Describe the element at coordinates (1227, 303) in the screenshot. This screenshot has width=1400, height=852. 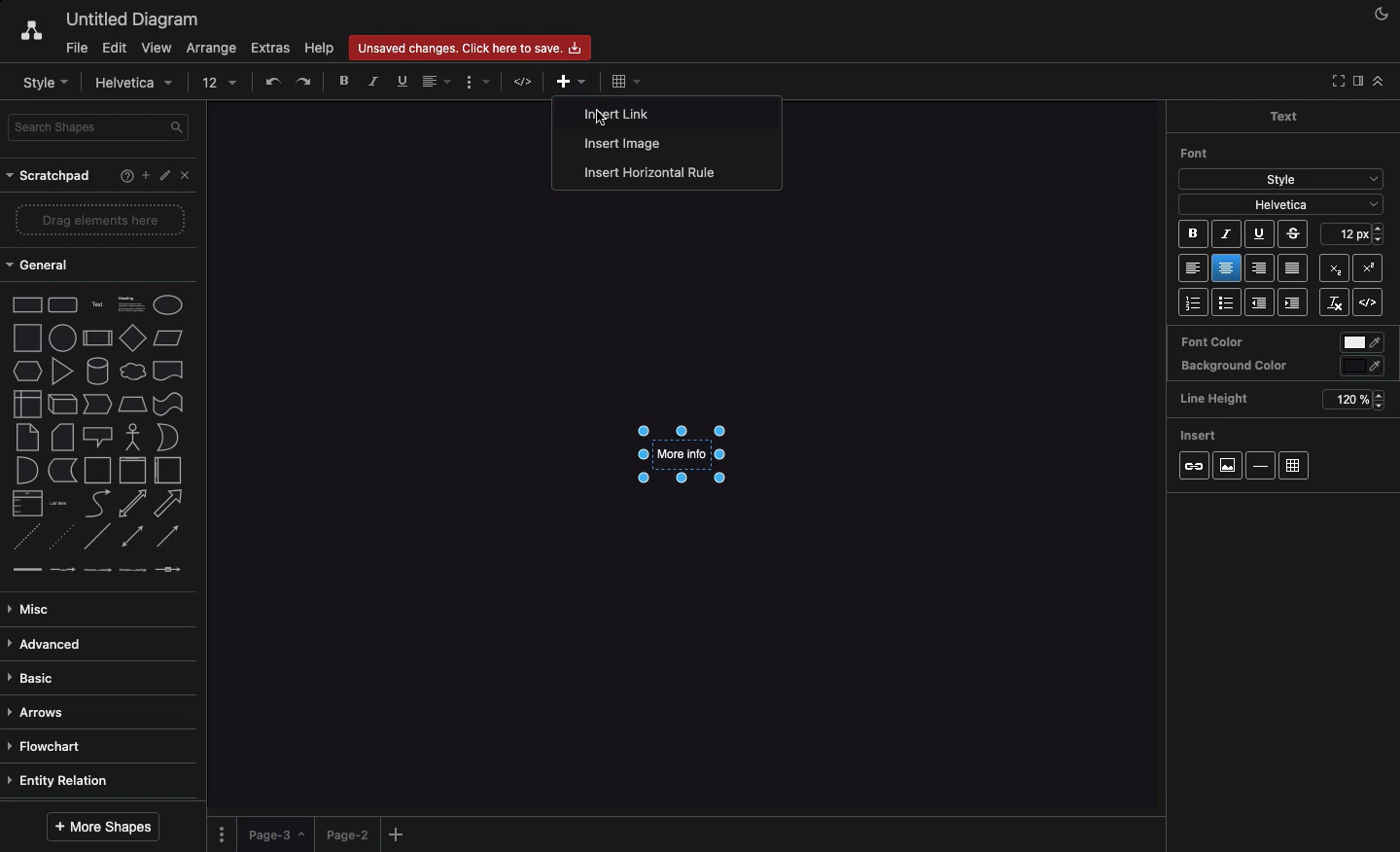
I see `Bullet` at that location.